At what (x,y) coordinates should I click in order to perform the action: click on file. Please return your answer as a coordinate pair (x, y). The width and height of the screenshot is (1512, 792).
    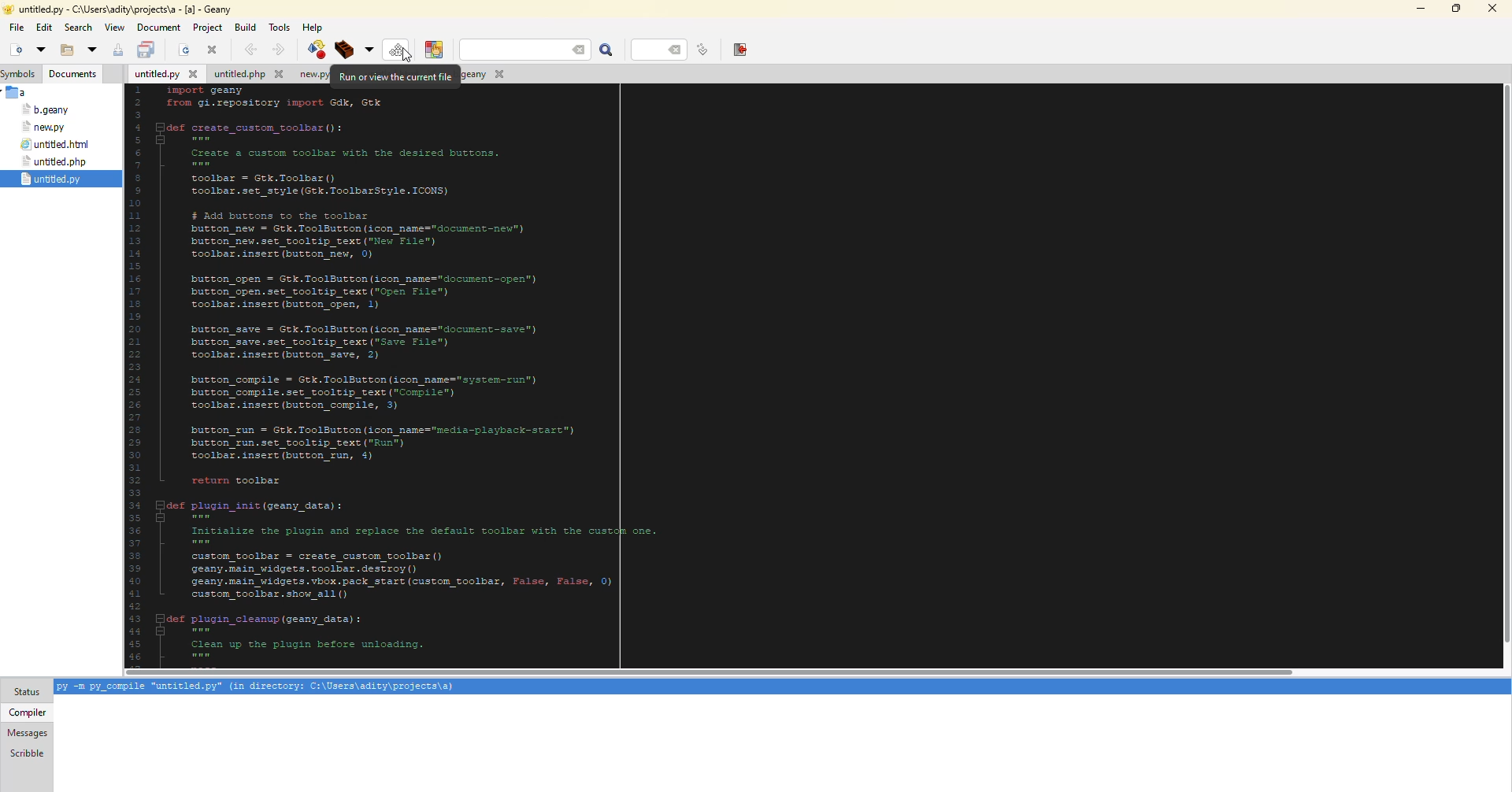
    Looking at the image, I should click on (481, 74).